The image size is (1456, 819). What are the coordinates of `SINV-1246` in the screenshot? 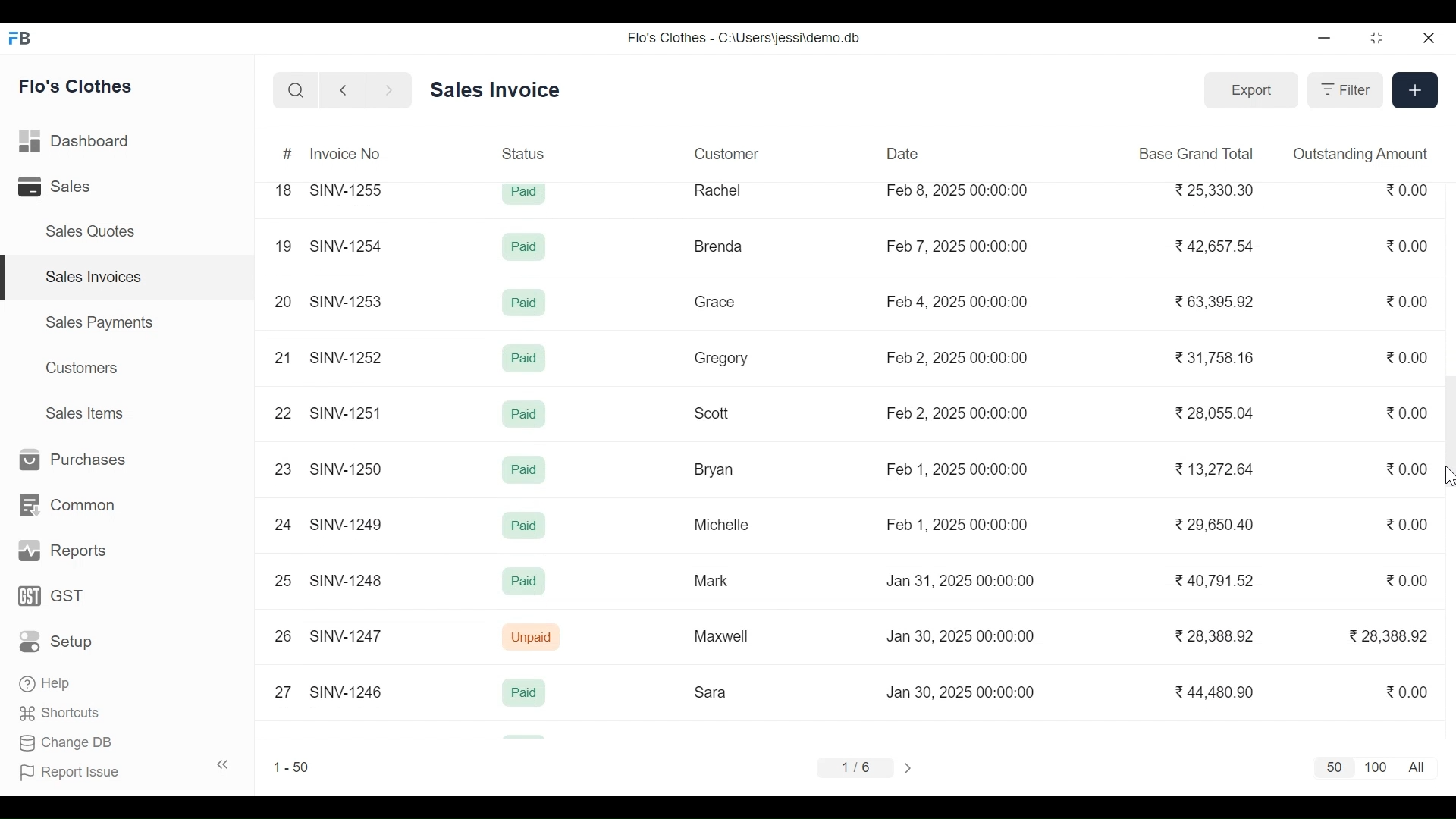 It's located at (346, 691).